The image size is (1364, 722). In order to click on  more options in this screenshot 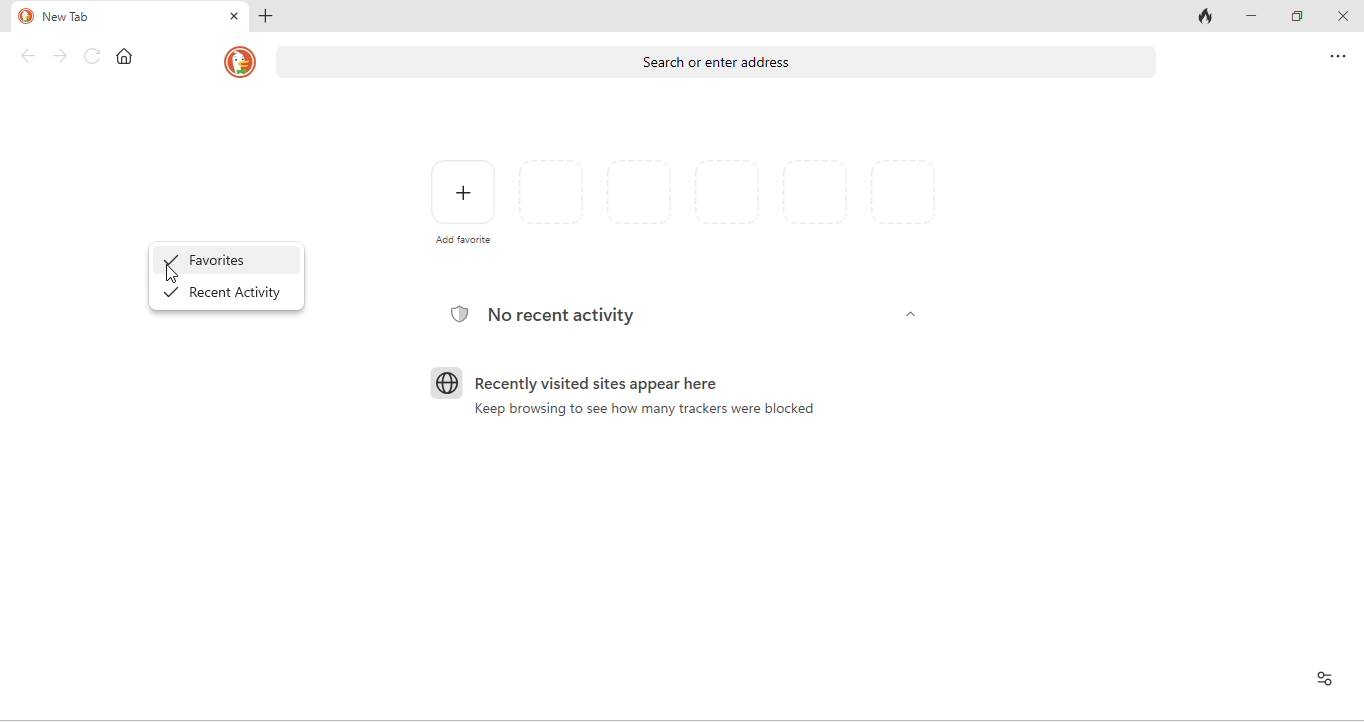, I will do `click(1339, 56)`.